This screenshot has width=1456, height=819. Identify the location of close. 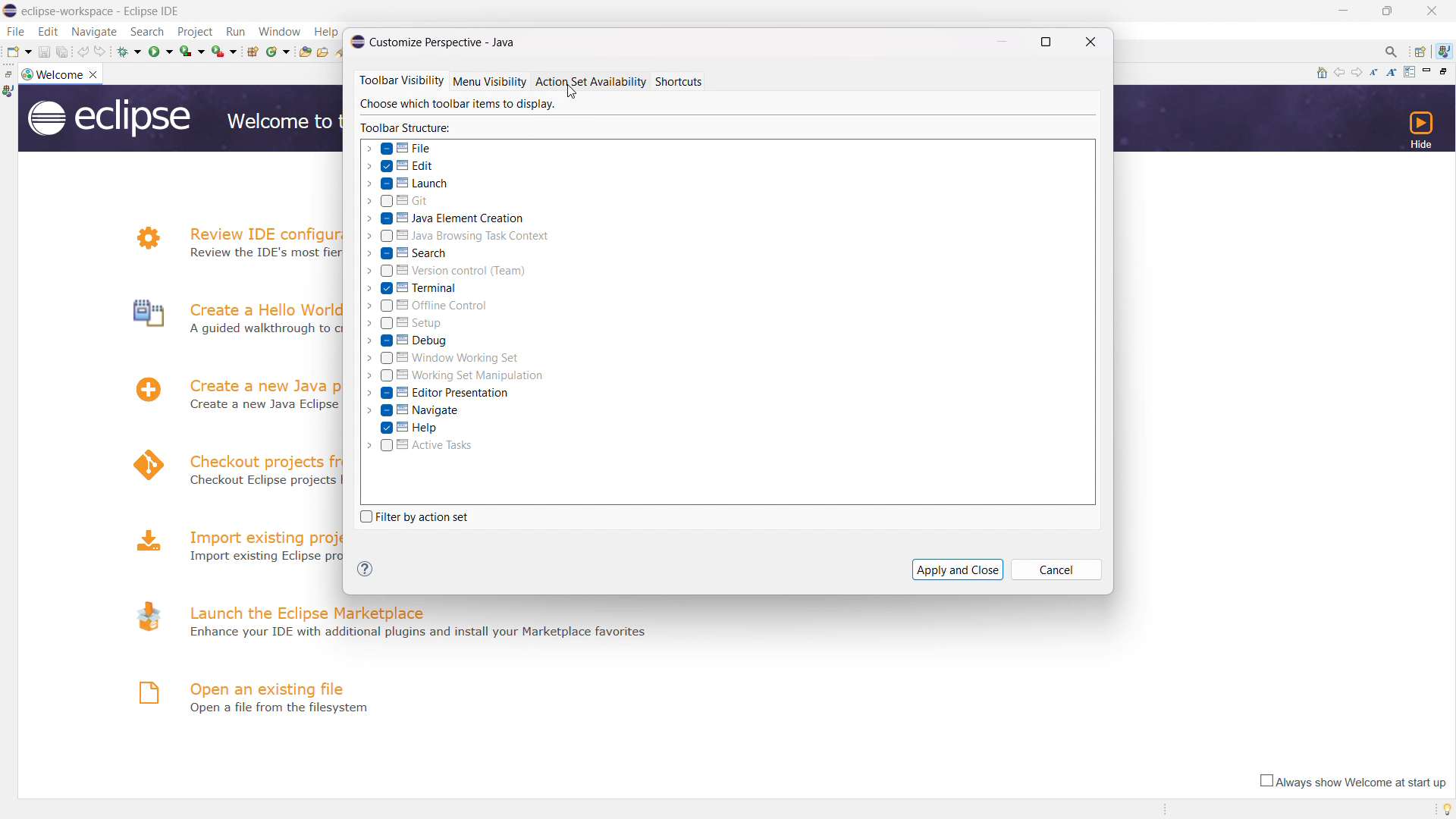
(96, 74).